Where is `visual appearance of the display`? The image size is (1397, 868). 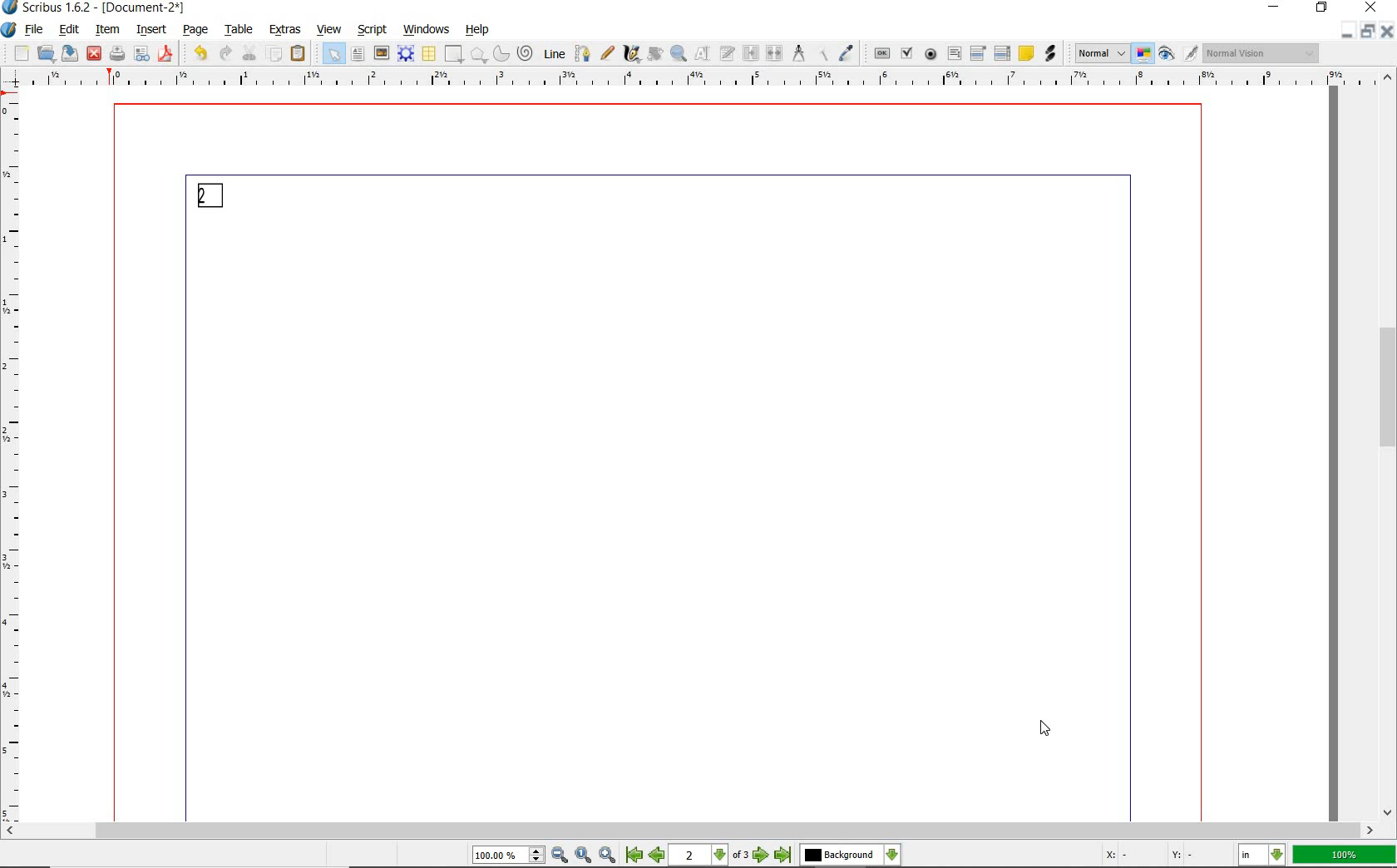 visual appearance of the display is located at coordinates (1263, 53).